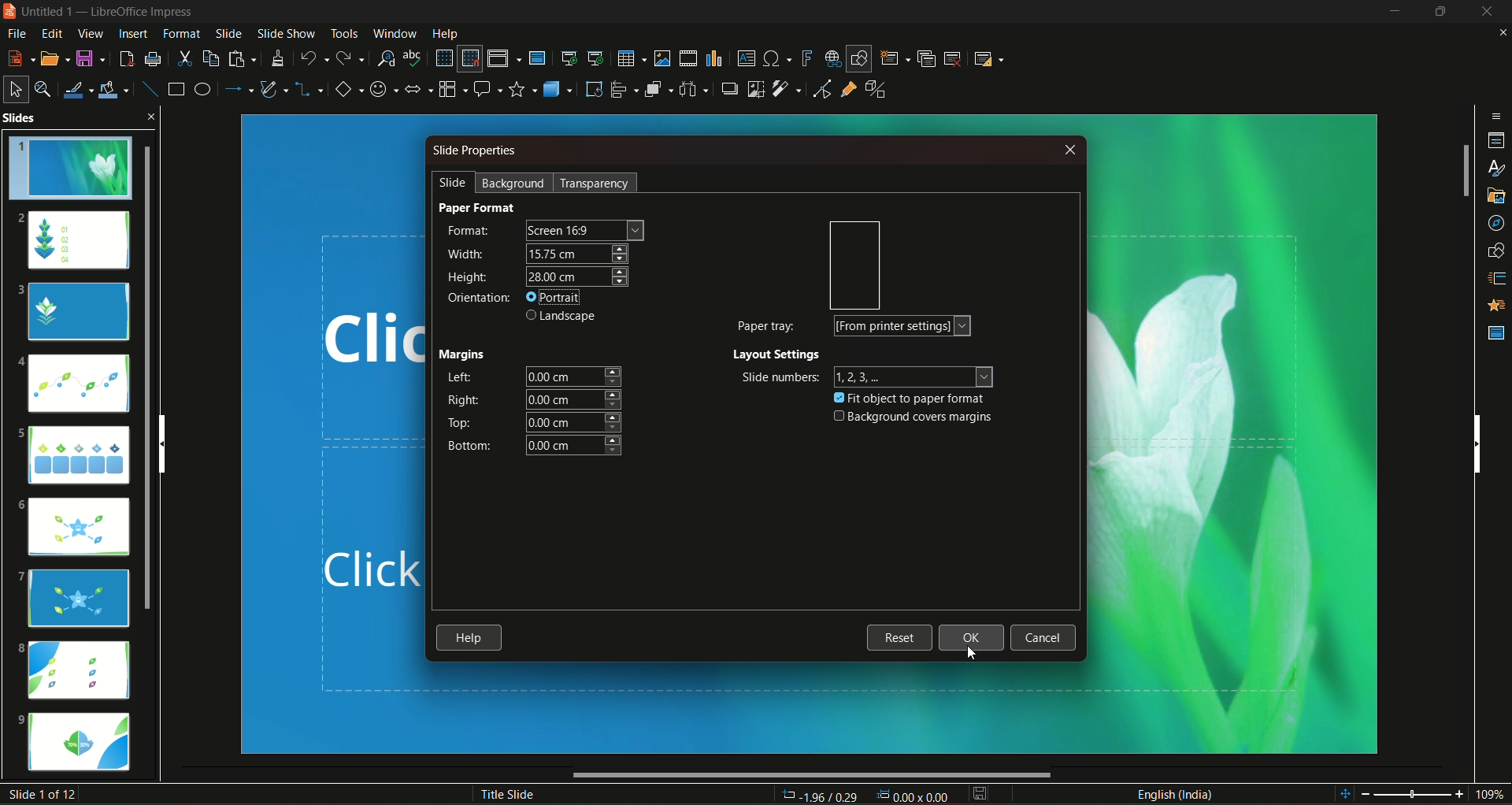 This screenshot has height=805, width=1512. I want to click on right, so click(461, 400).